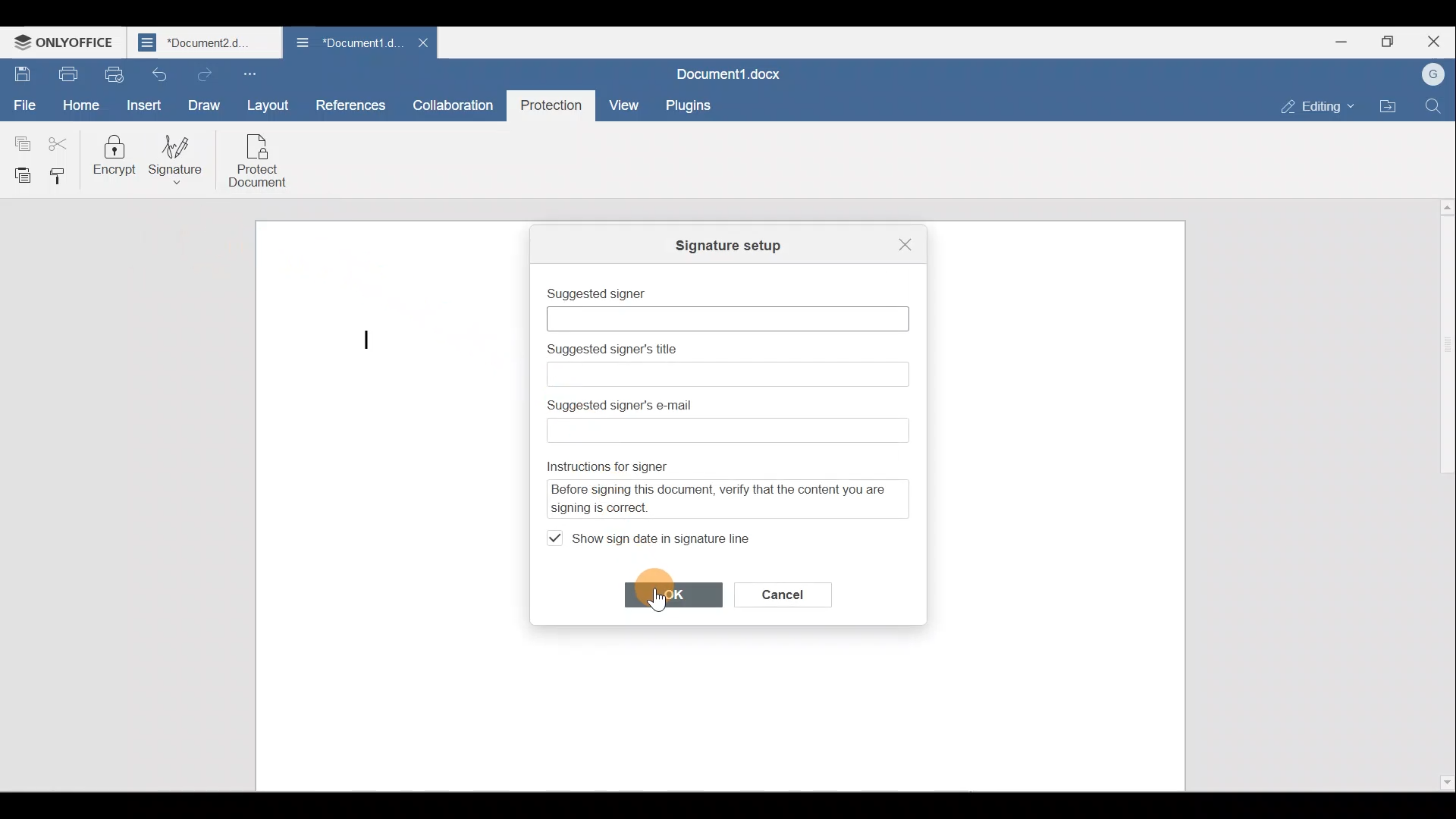 This screenshot has width=1456, height=819. What do you see at coordinates (146, 105) in the screenshot?
I see `Insert` at bounding box center [146, 105].